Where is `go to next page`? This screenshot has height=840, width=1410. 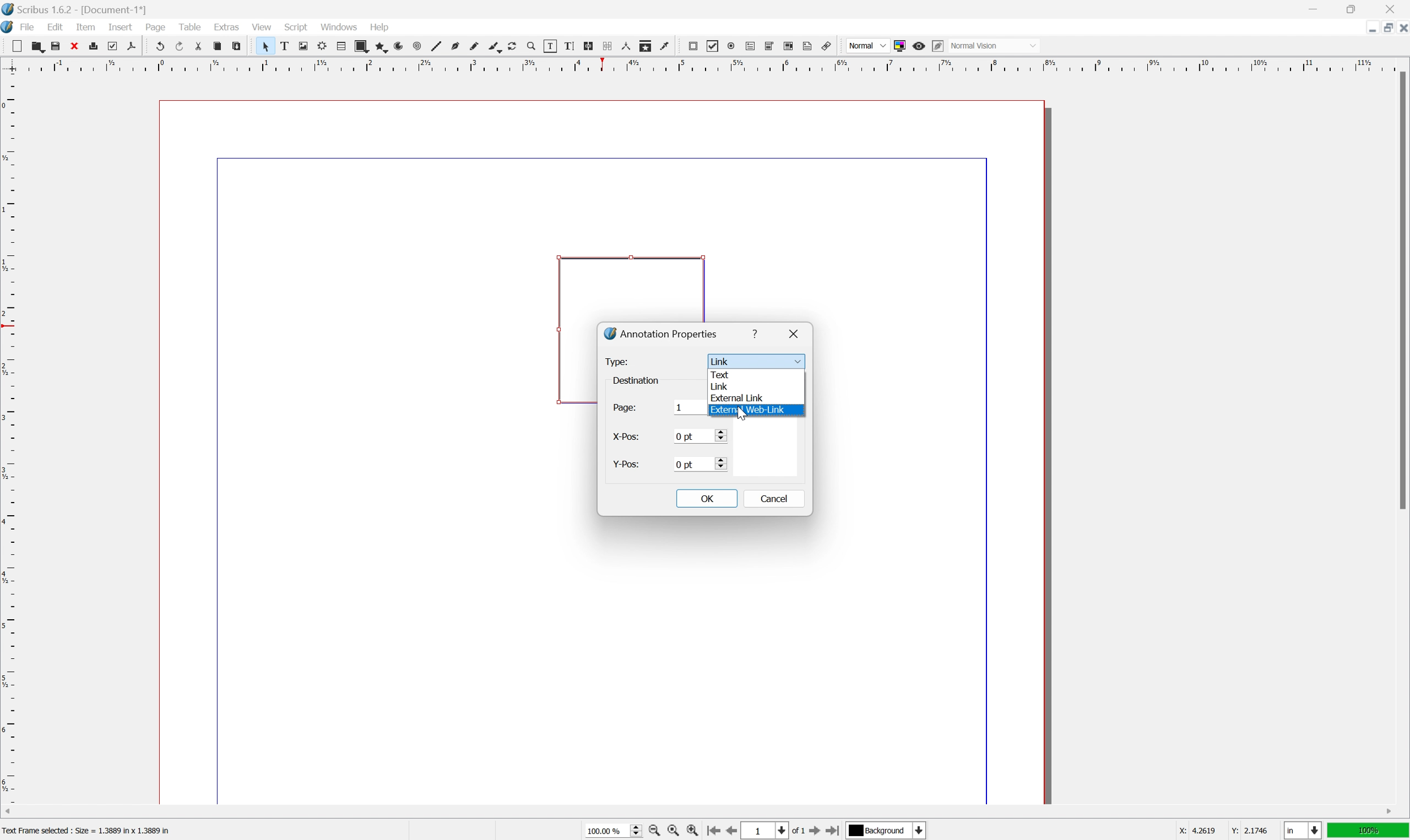
go to next page is located at coordinates (817, 832).